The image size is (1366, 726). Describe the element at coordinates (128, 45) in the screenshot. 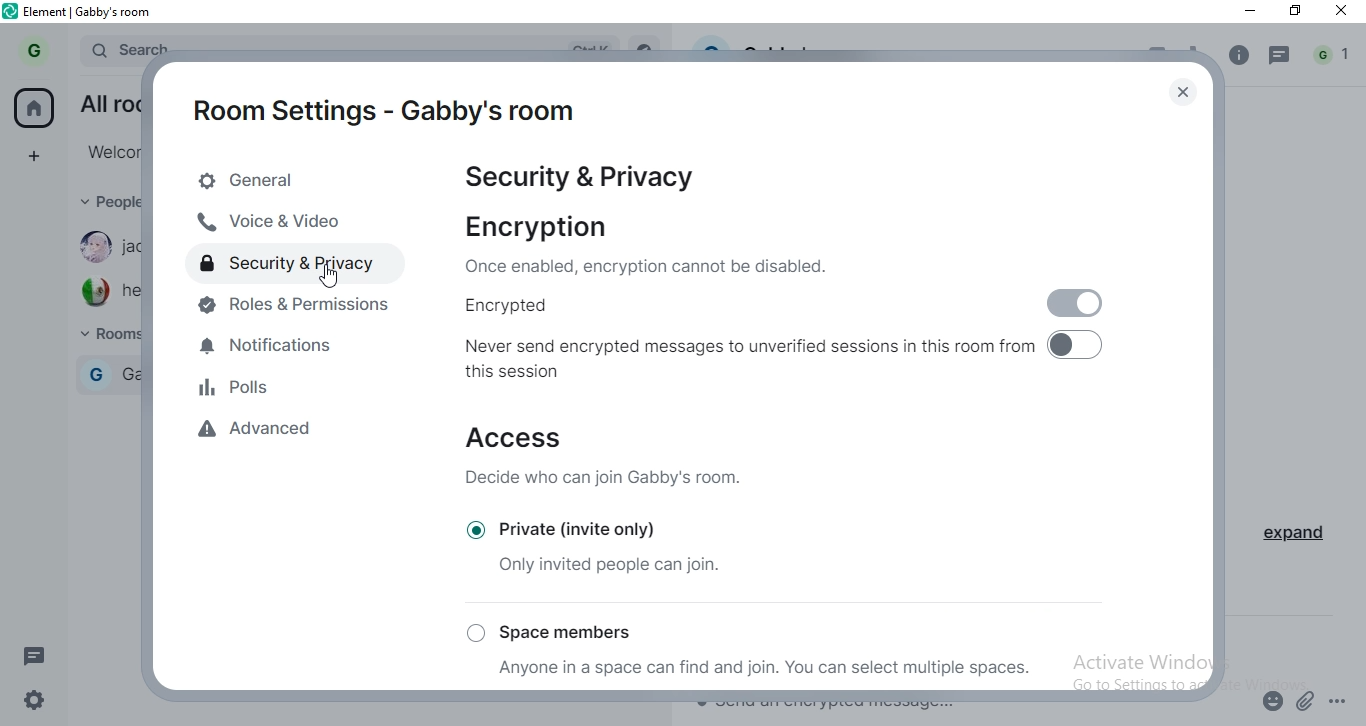

I see `search bar` at that location.